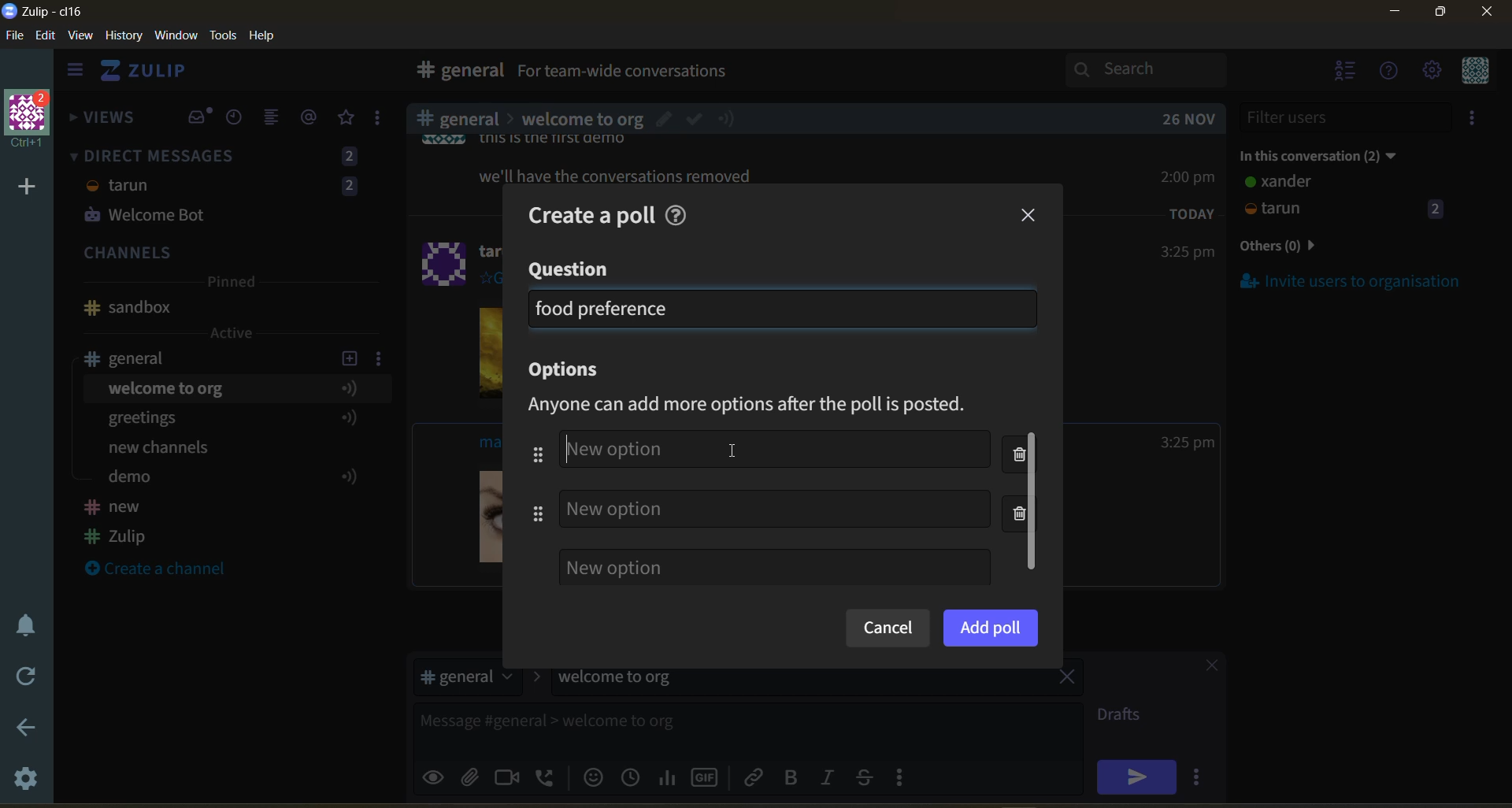  I want to click on users and status, so click(1346, 198).